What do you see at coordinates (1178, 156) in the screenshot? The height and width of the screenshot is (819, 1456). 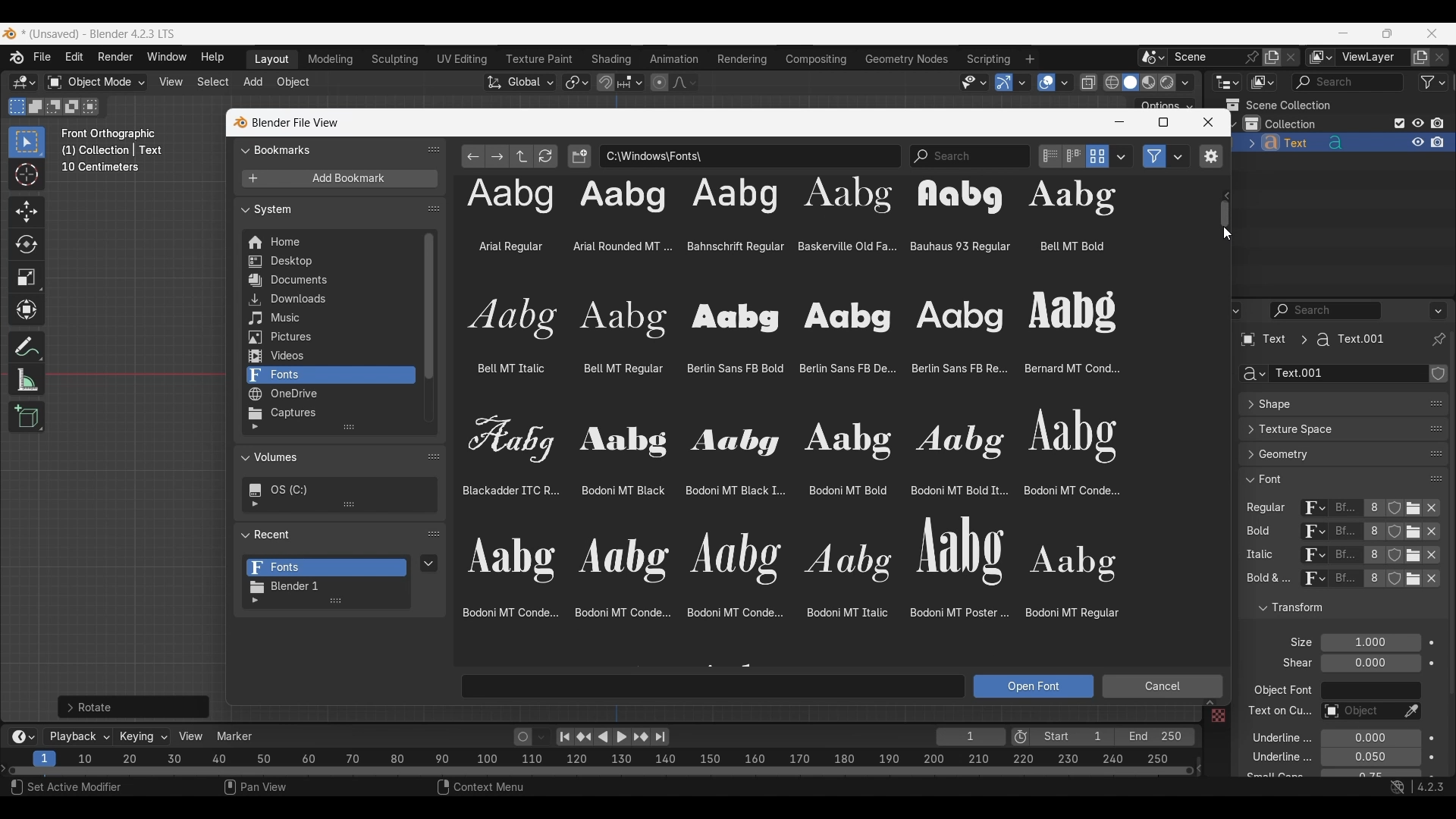 I see `Filter settings` at bounding box center [1178, 156].